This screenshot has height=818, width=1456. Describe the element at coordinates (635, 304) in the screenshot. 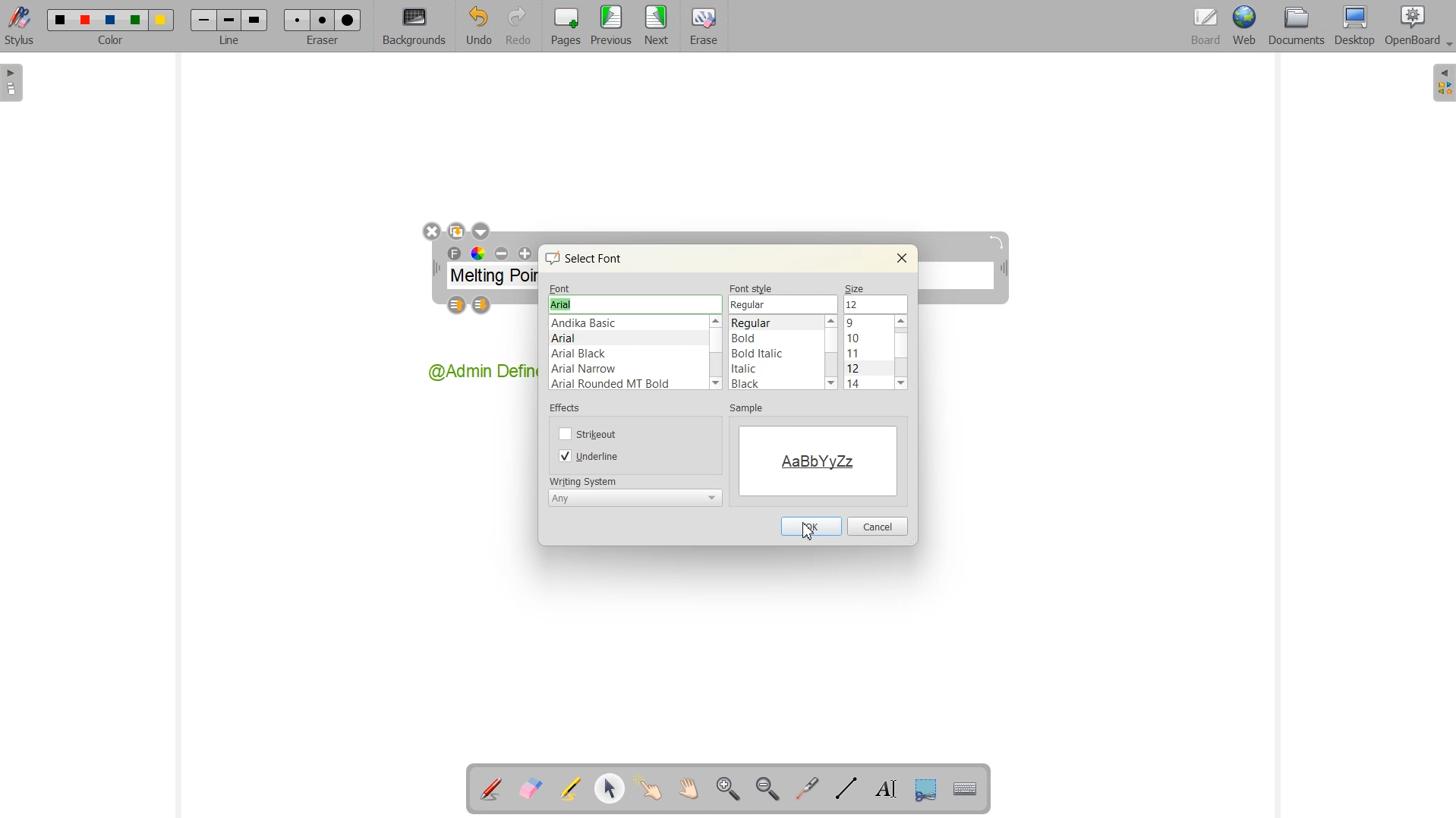

I see `Font name` at that location.